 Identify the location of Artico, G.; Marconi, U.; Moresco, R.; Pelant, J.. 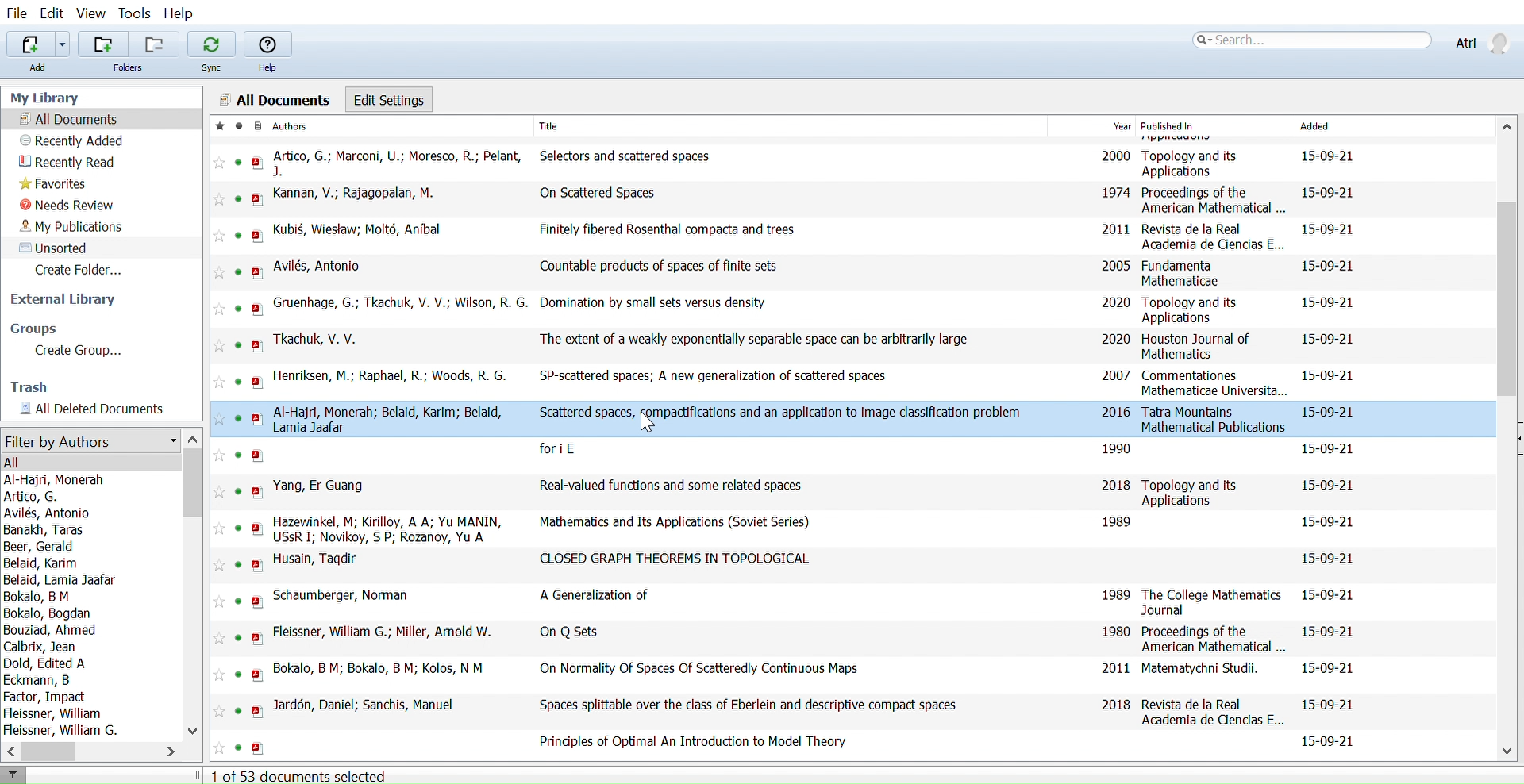
(398, 164).